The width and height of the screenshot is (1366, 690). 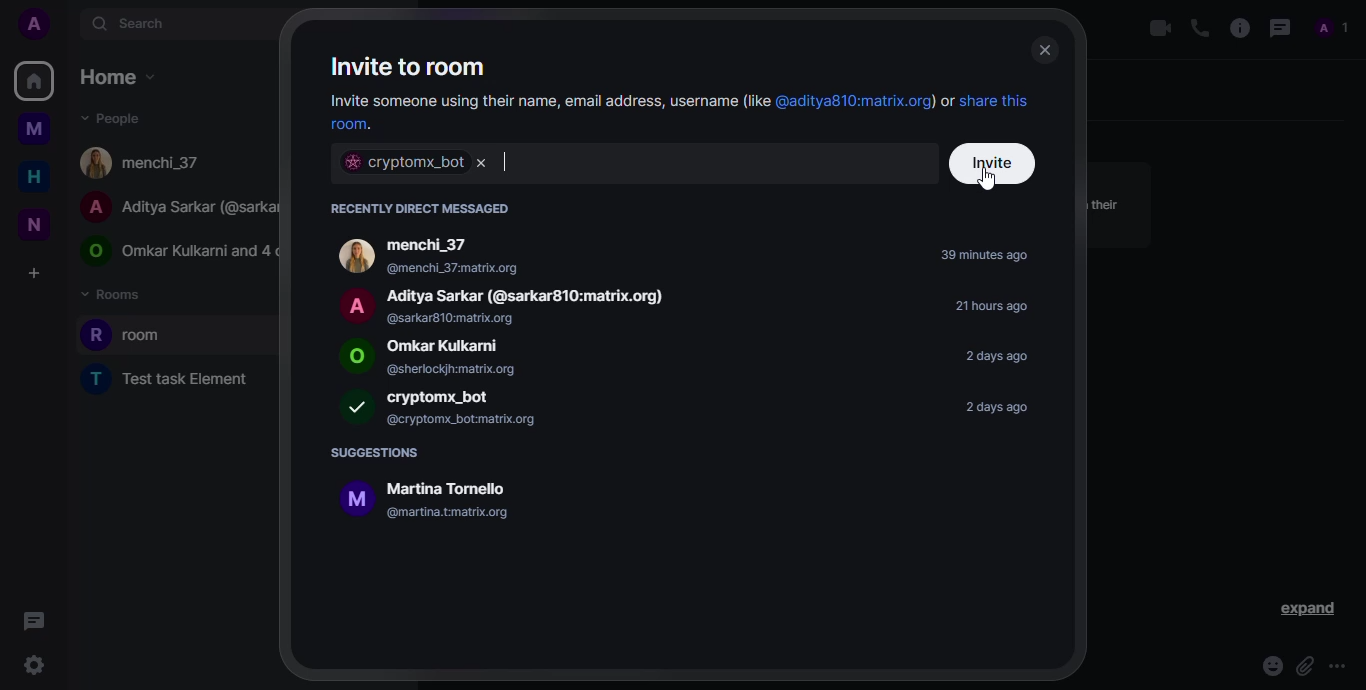 I want to click on @sherlockjh:matrix.org, so click(x=452, y=369).